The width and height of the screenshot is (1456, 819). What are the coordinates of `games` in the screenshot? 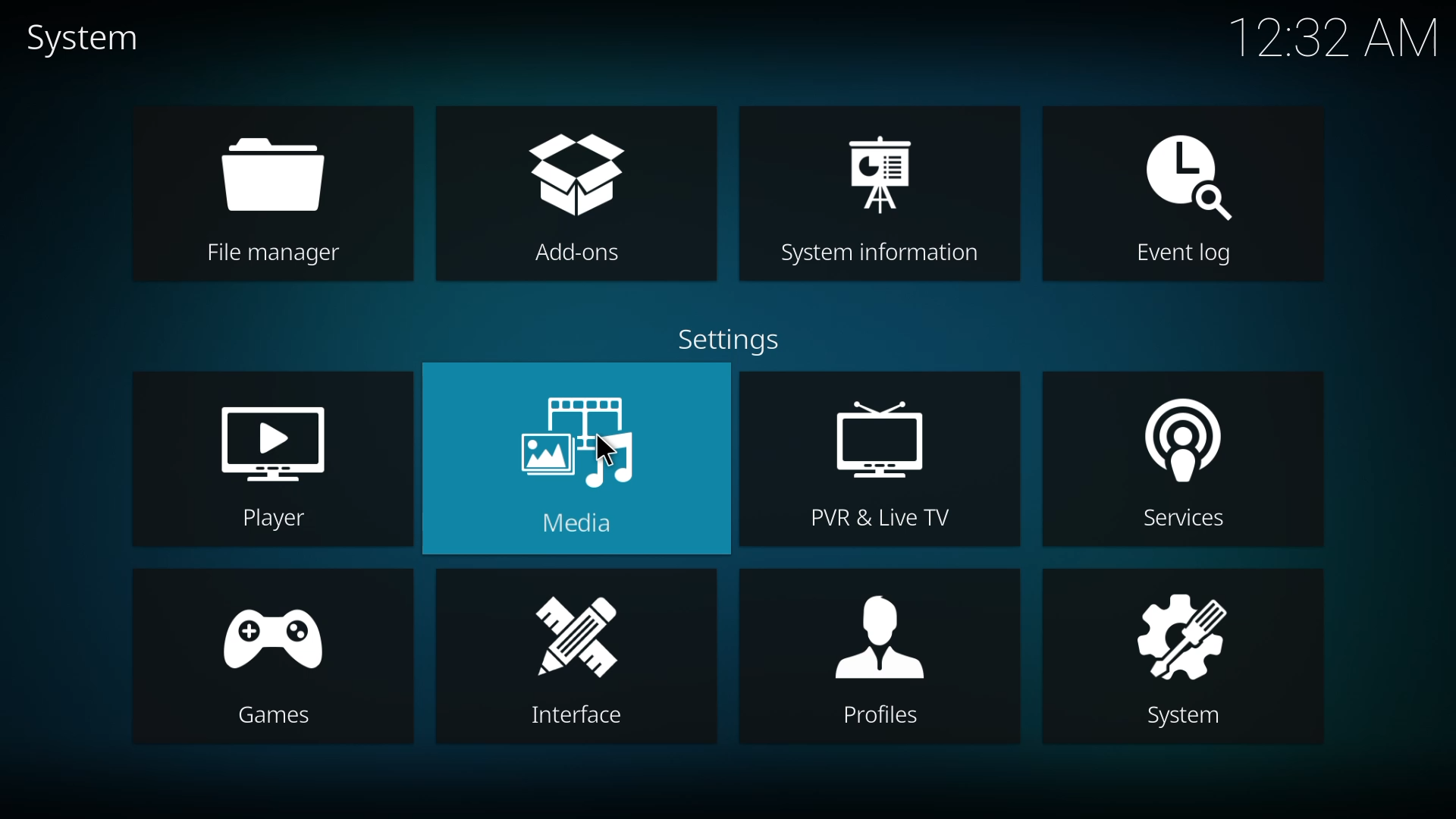 It's located at (275, 657).